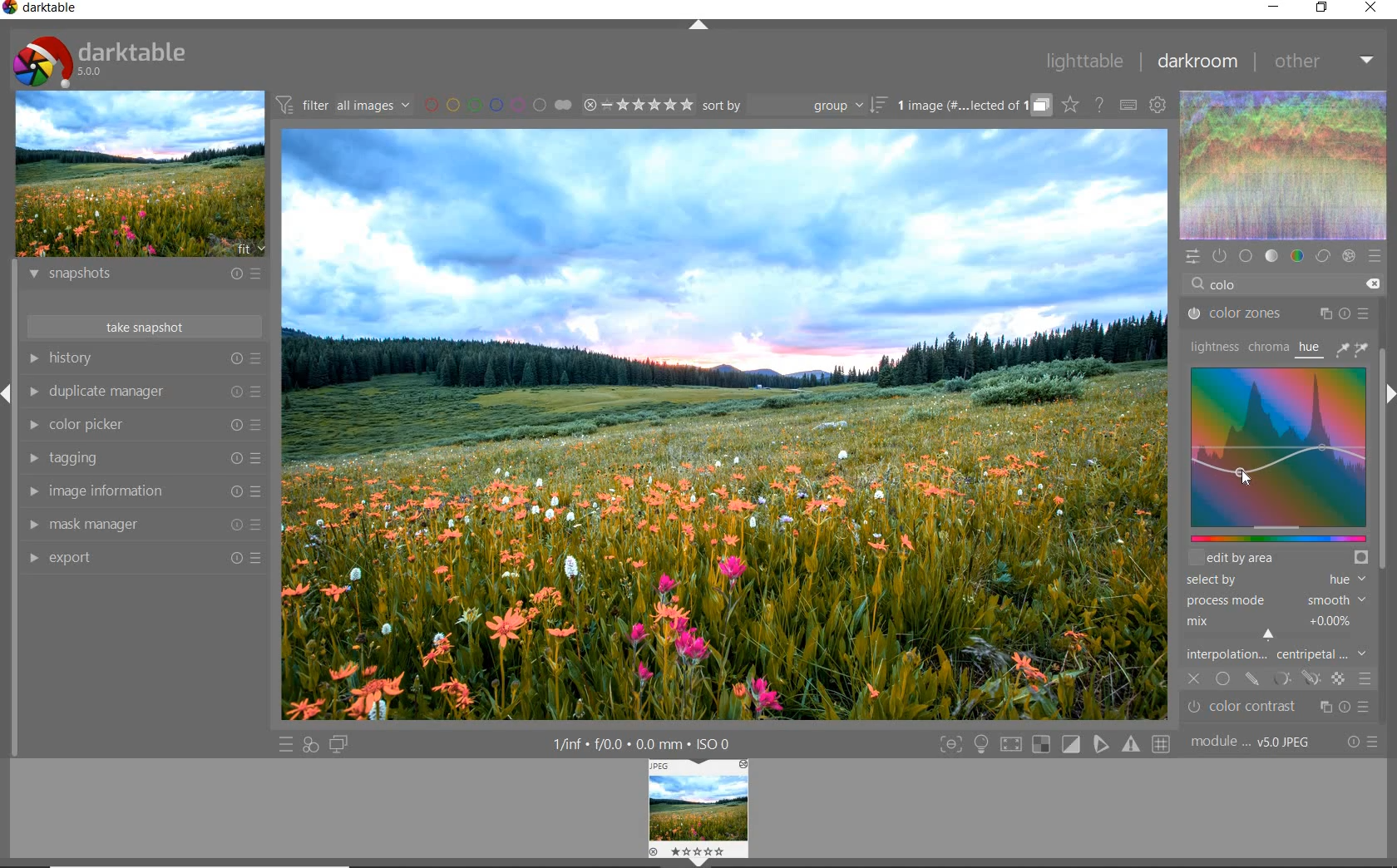  I want to click on quick access for applying any of your styles, so click(311, 745).